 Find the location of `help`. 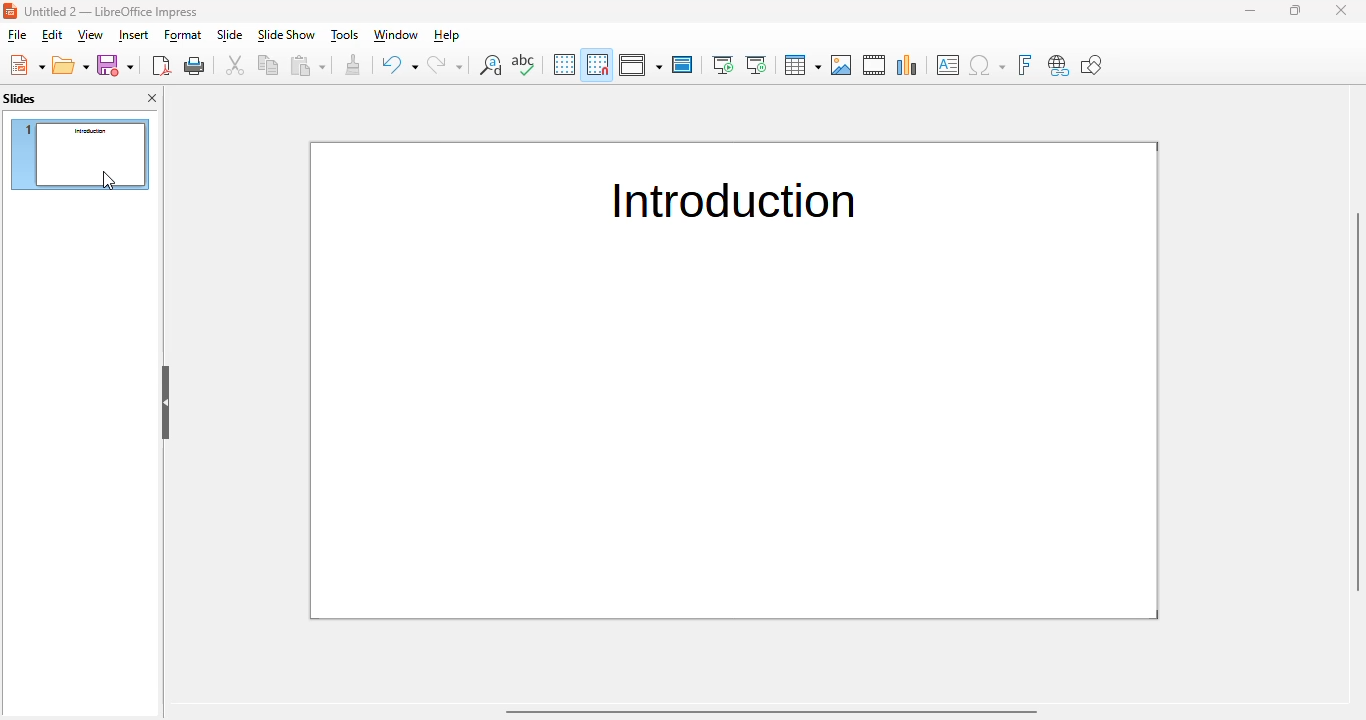

help is located at coordinates (448, 35).